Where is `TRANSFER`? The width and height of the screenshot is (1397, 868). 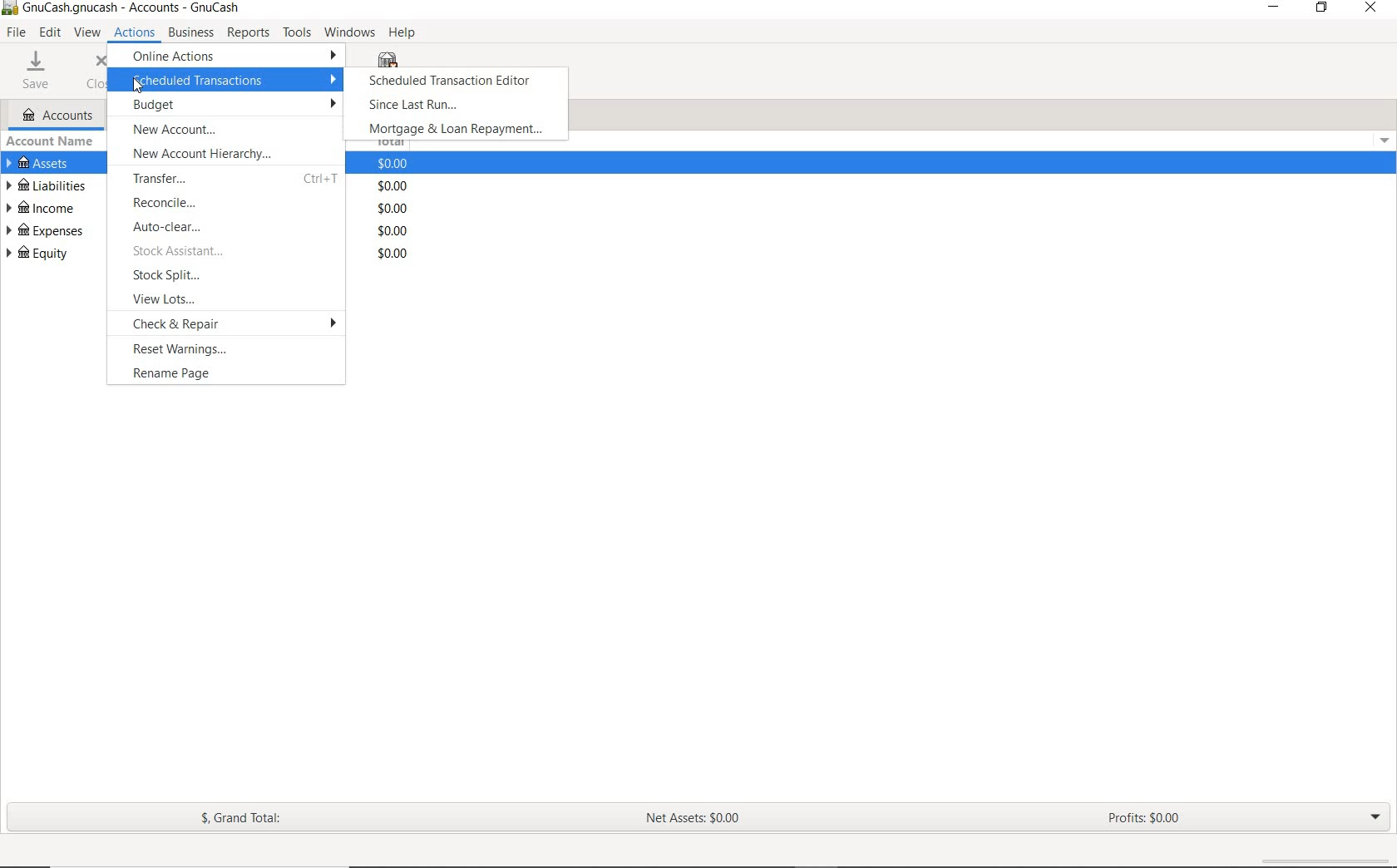 TRANSFER is located at coordinates (230, 177).